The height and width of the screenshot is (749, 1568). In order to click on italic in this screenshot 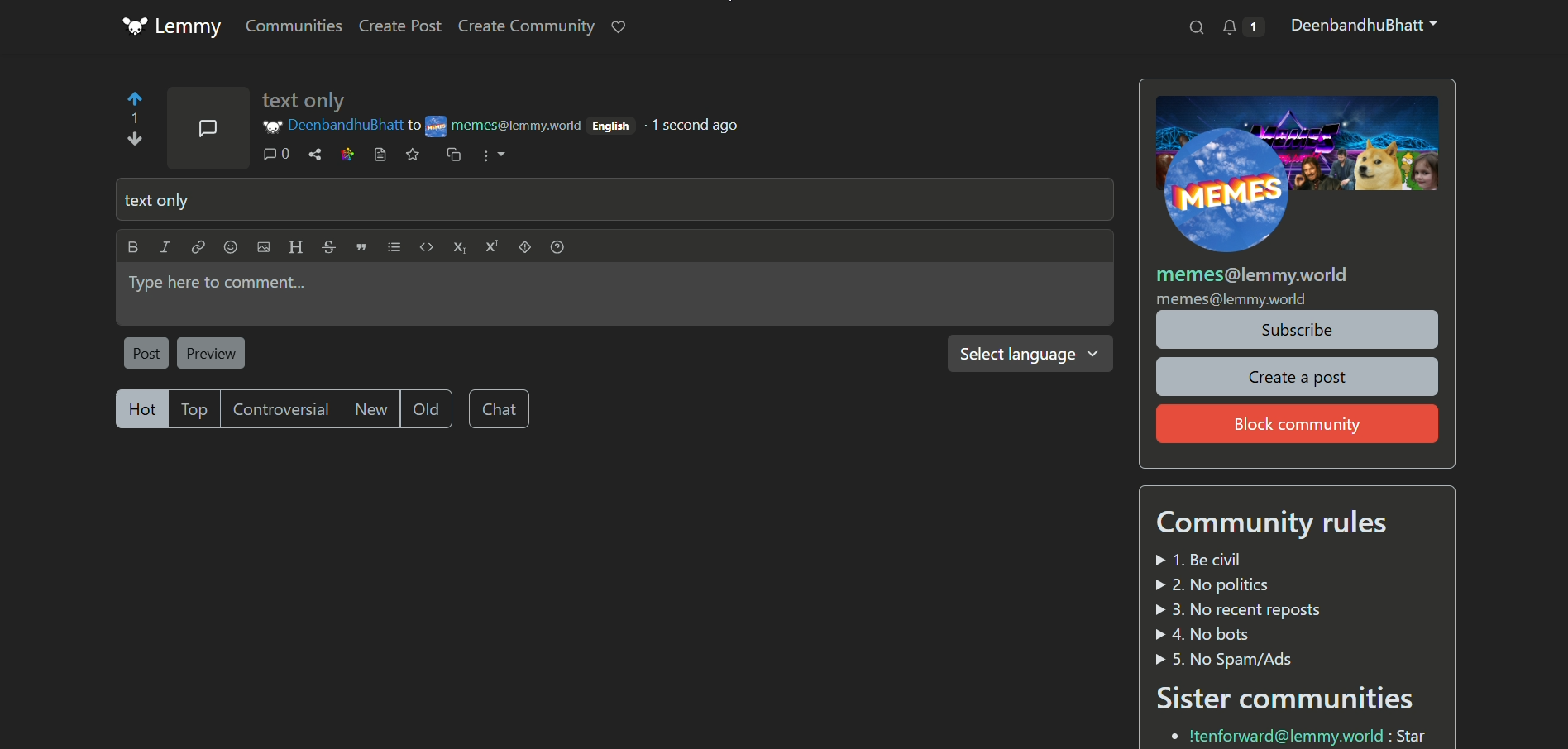, I will do `click(165, 246)`.